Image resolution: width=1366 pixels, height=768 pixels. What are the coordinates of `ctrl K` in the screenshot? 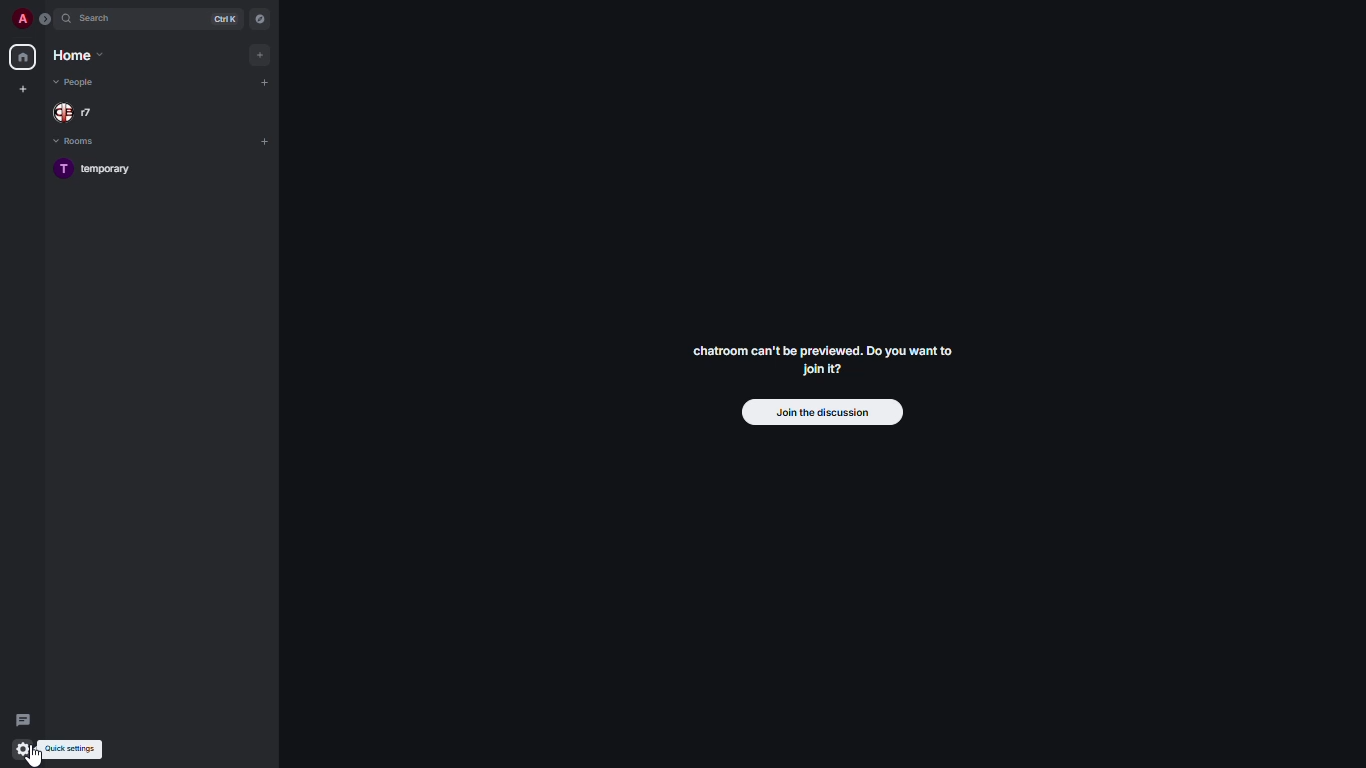 It's located at (225, 19).